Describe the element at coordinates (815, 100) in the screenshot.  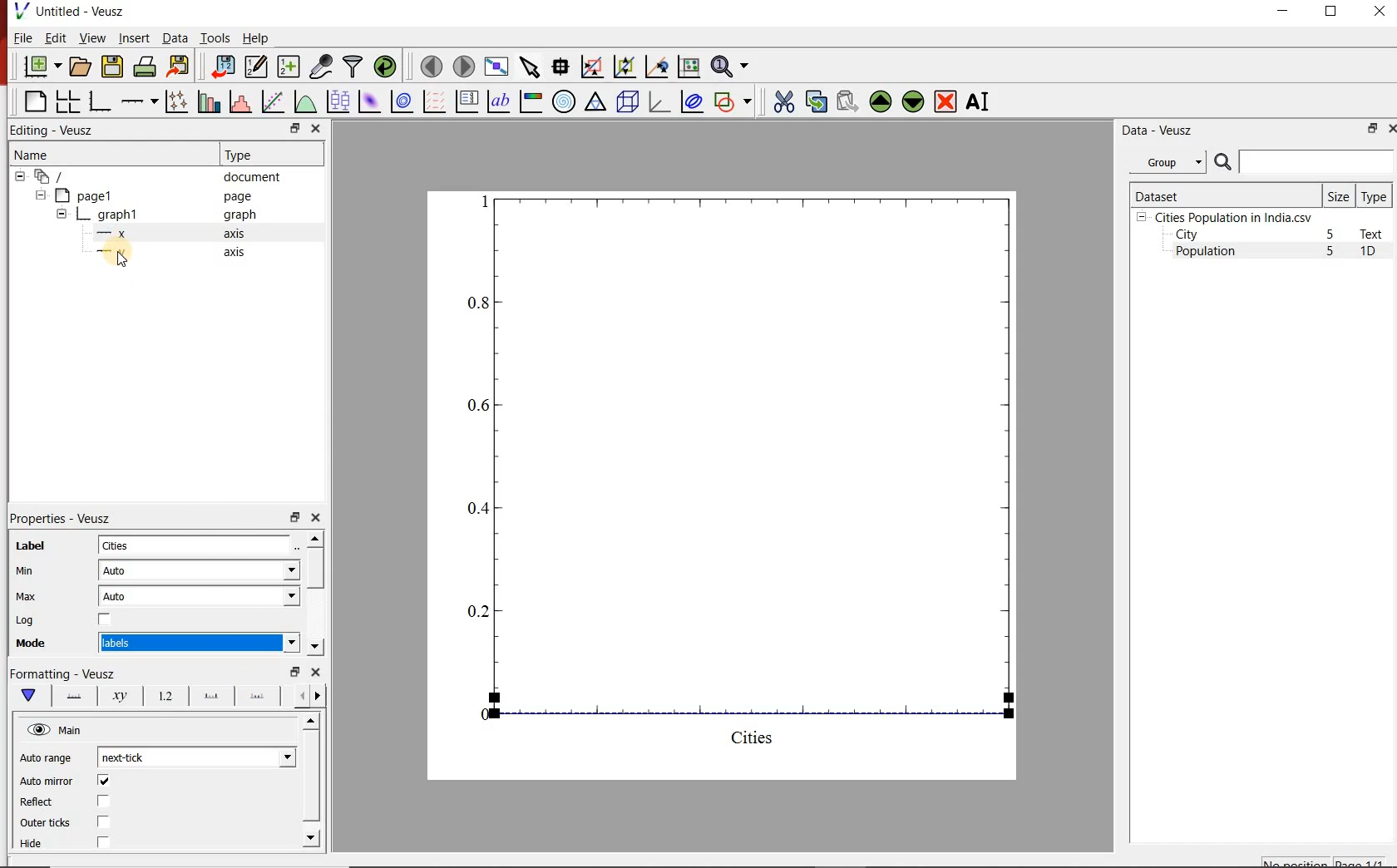
I see `copy the selected widget` at that location.